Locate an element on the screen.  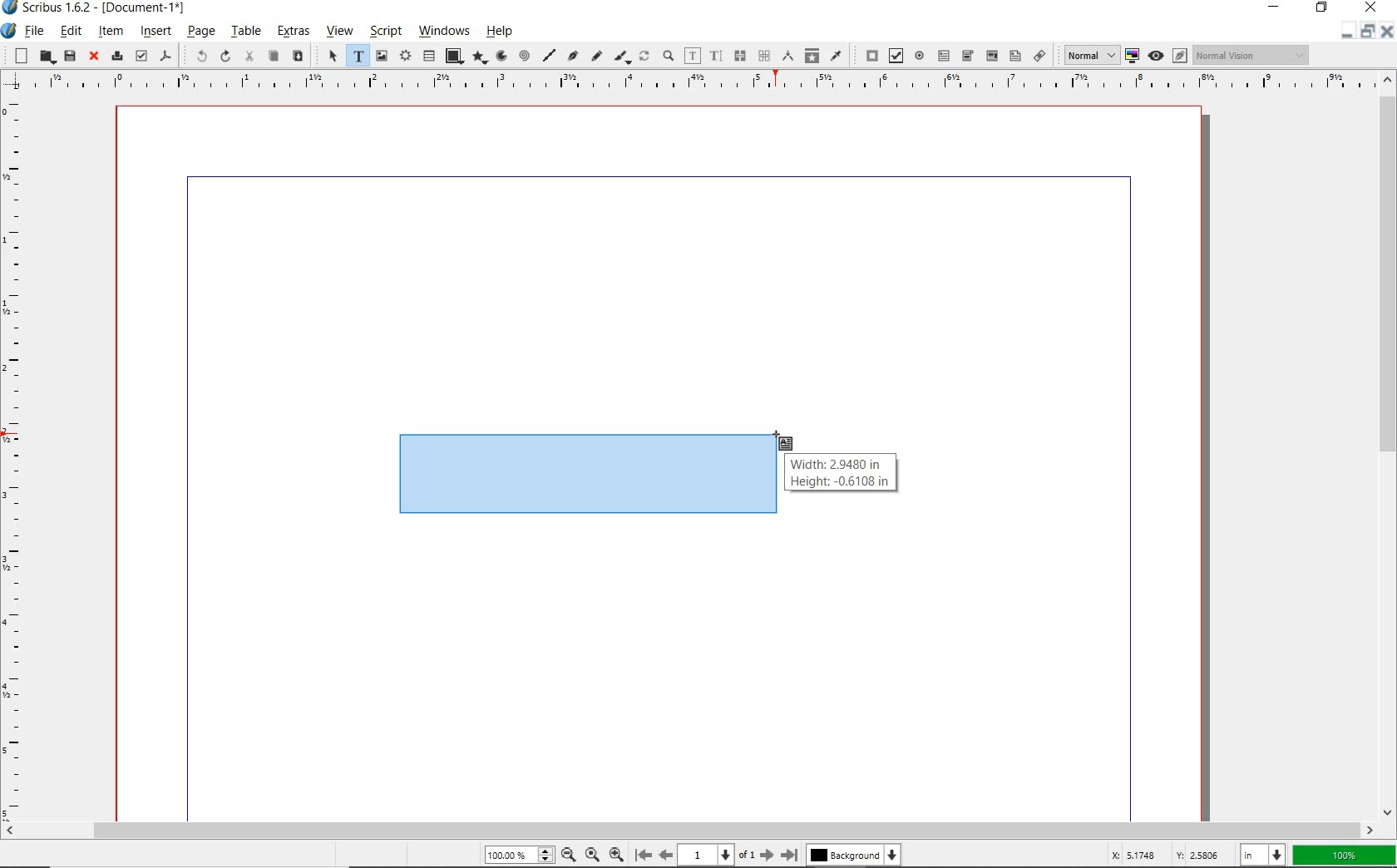
zoom in or zoom out is located at coordinates (668, 57).